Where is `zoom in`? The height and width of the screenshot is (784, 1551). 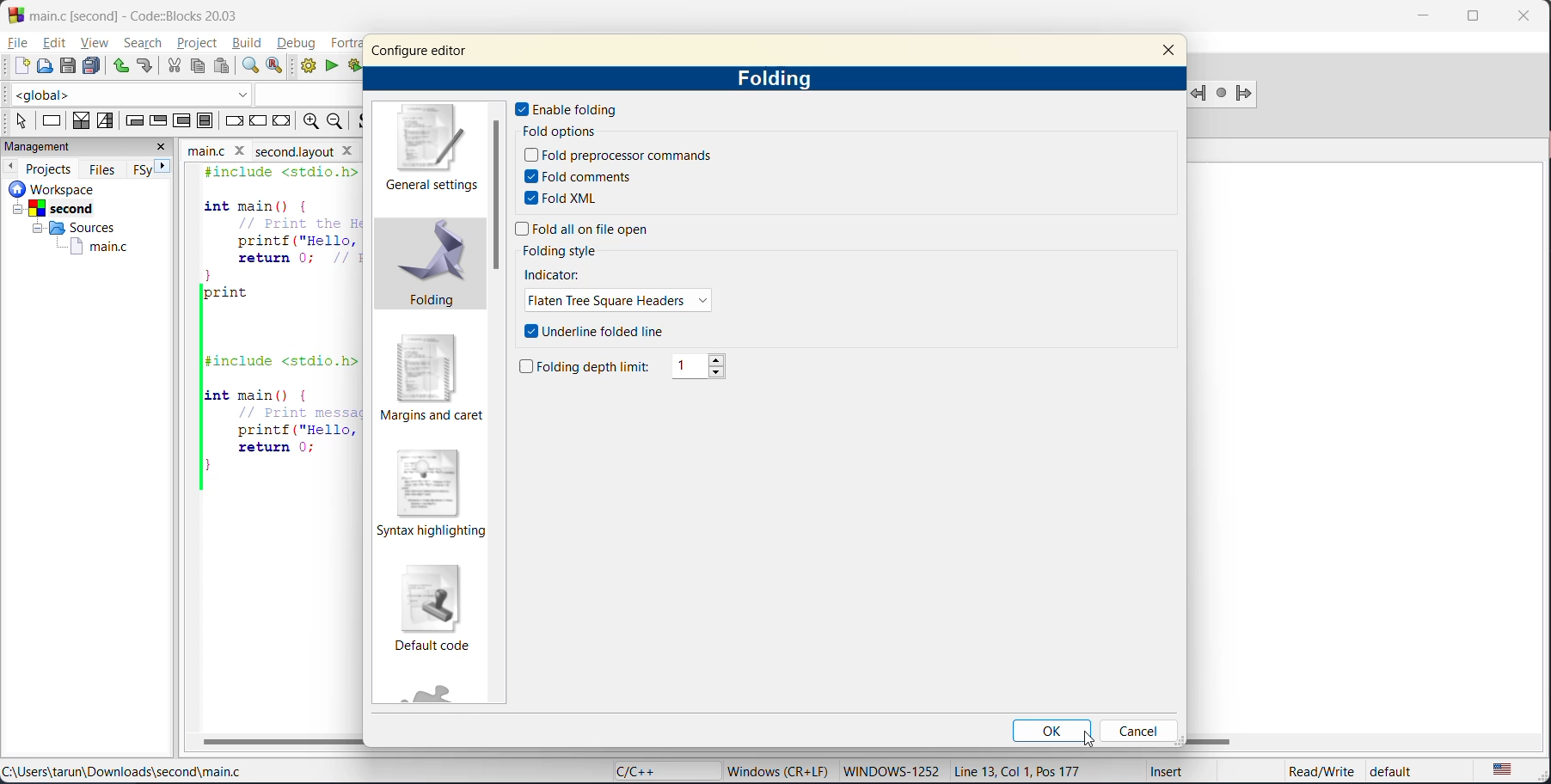
zoom in is located at coordinates (309, 122).